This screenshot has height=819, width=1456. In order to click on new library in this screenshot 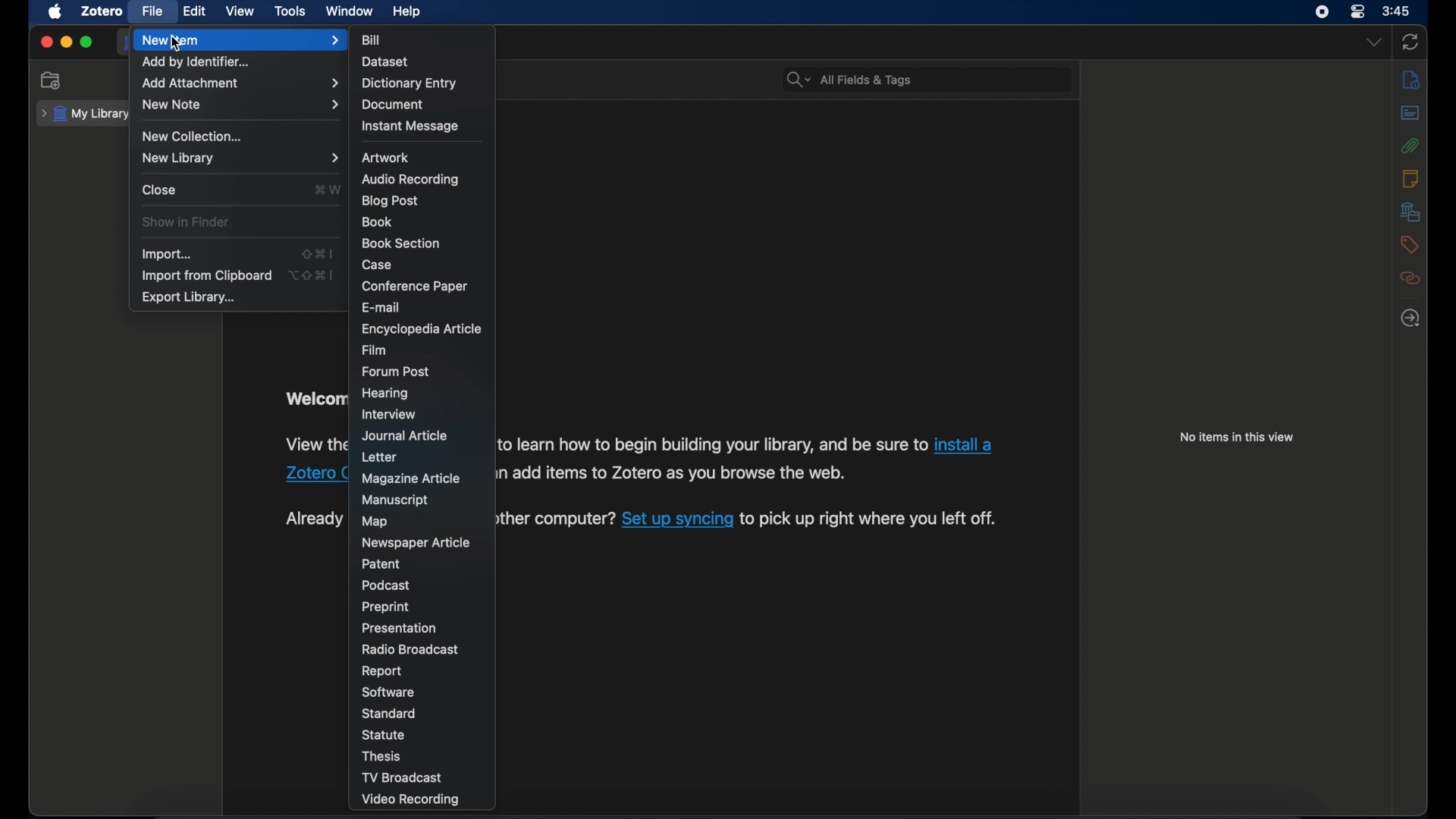, I will do `click(240, 158)`.